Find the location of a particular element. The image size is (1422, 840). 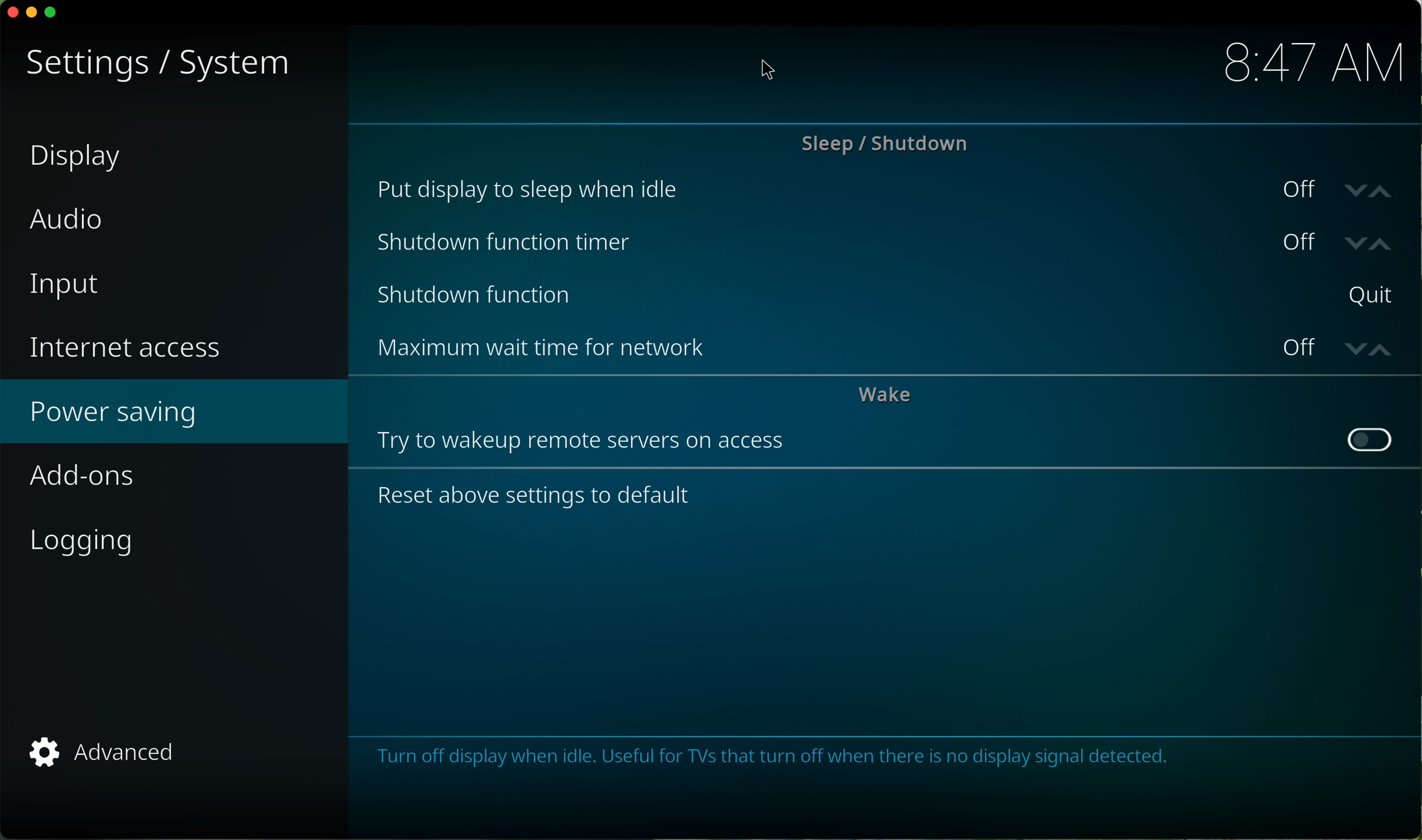

maximize program is located at coordinates (52, 14).